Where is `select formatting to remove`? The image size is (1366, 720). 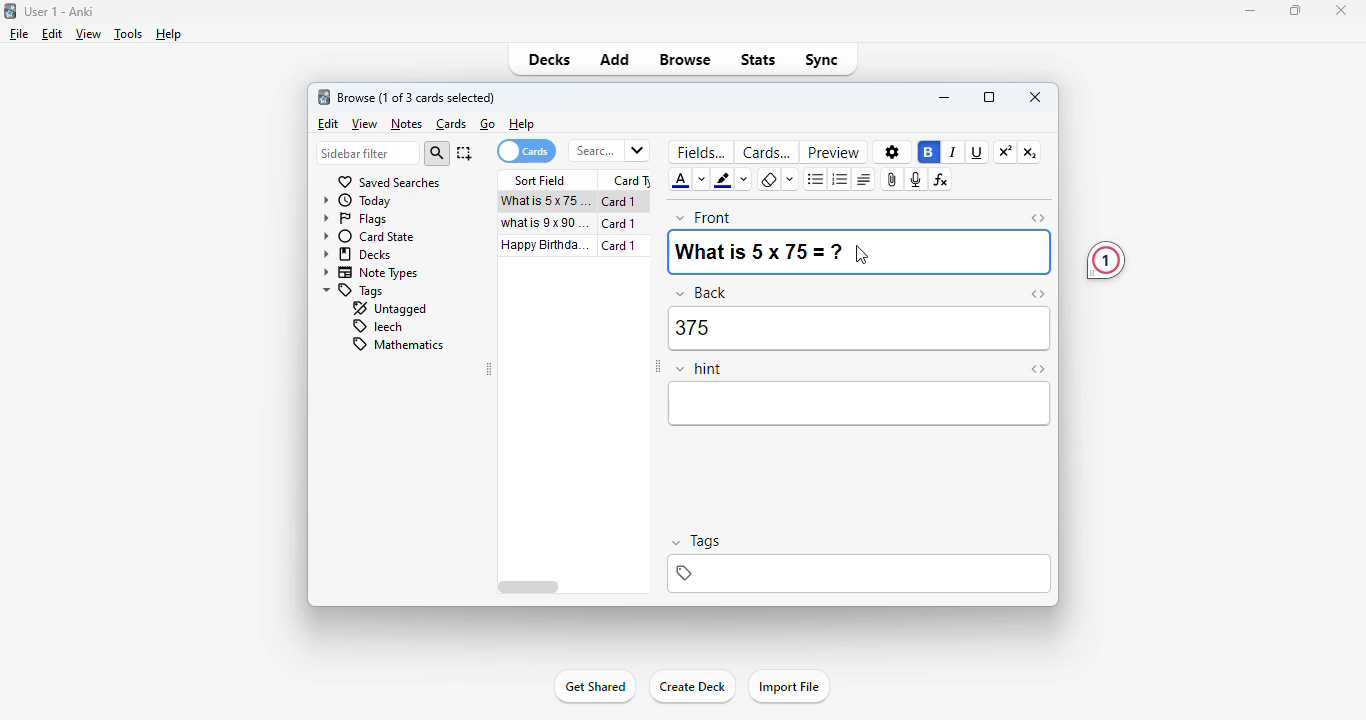
select formatting to remove is located at coordinates (789, 181).